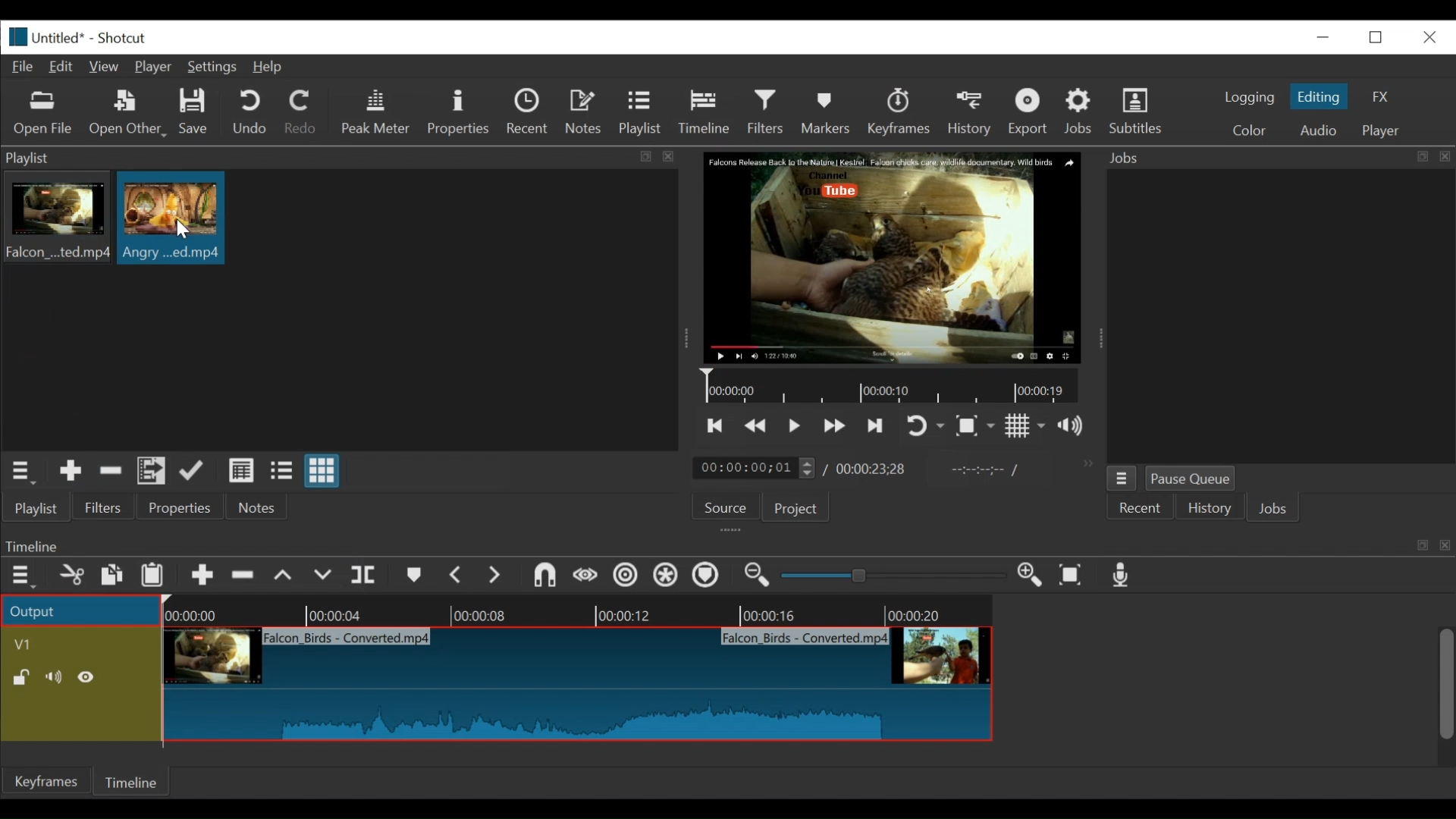 The image size is (1456, 819). What do you see at coordinates (582, 685) in the screenshot?
I see `clip` at bounding box center [582, 685].